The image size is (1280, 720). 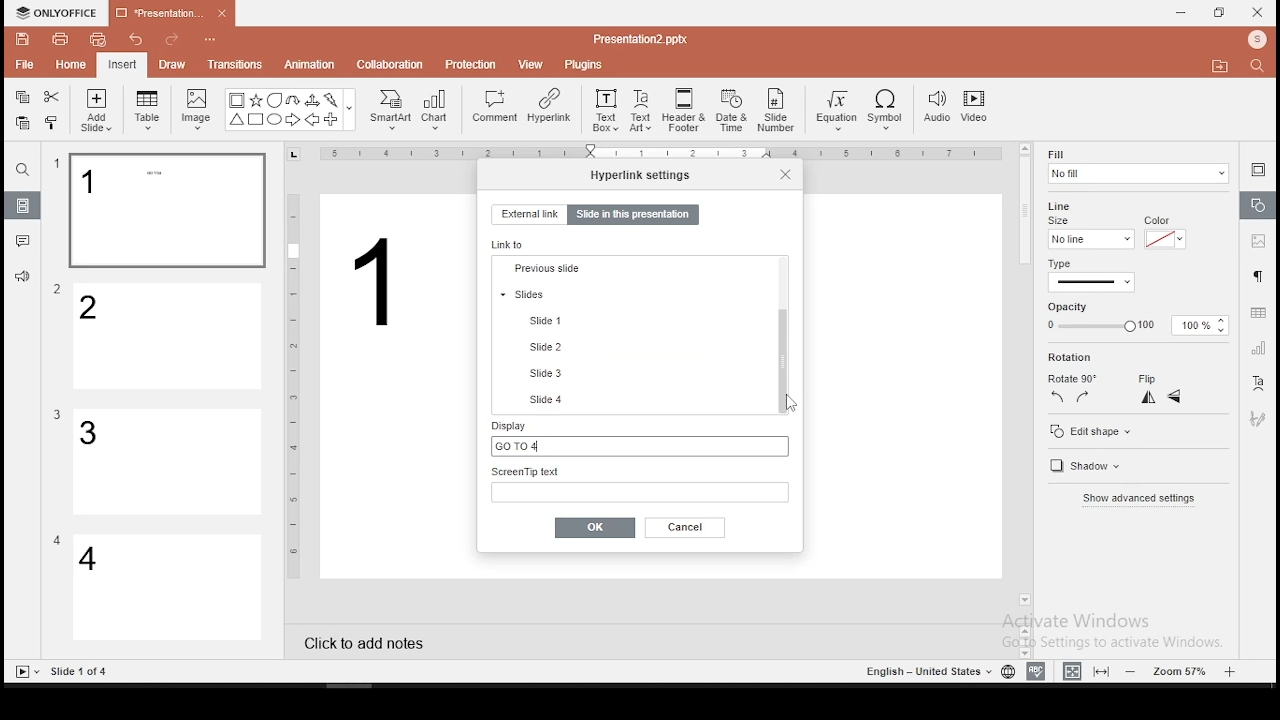 What do you see at coordinates (1103, 358) in the screenshot?
I see `rotation` at bounding box center [1103, 358].